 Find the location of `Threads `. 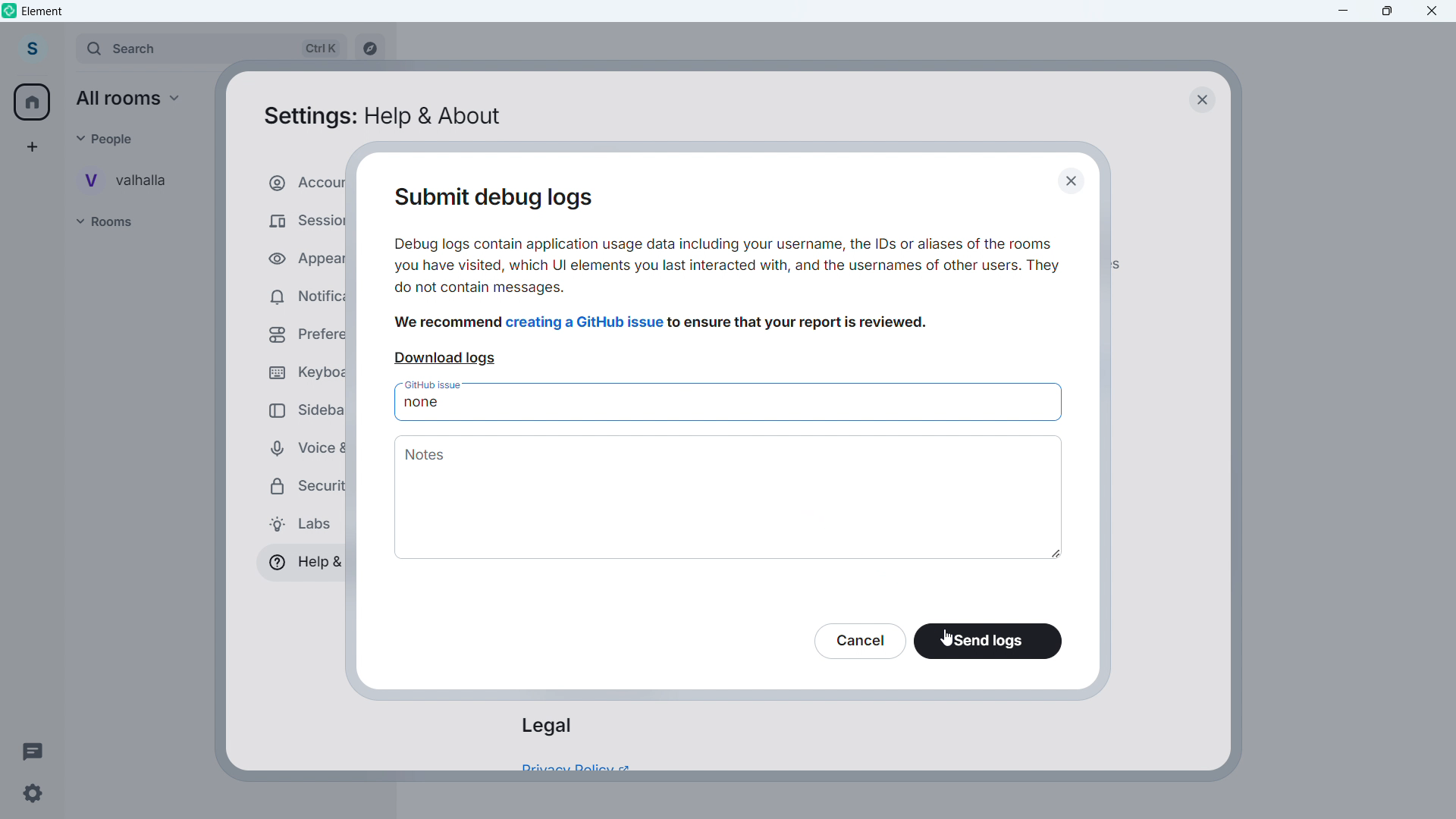

Threads  is located at coordinates (33, 750).